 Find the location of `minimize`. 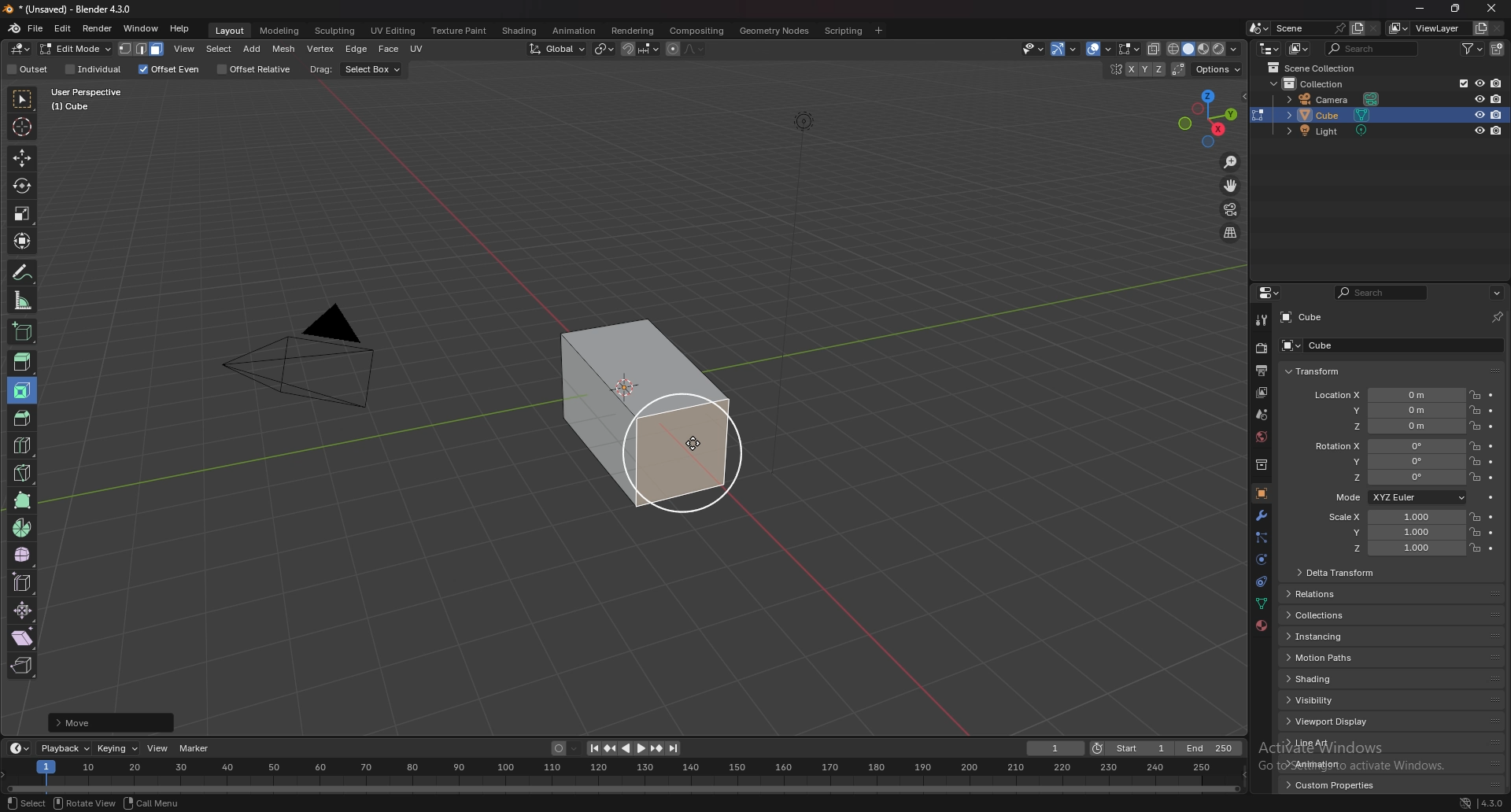

minimize is located at coordinates (1421, 9).